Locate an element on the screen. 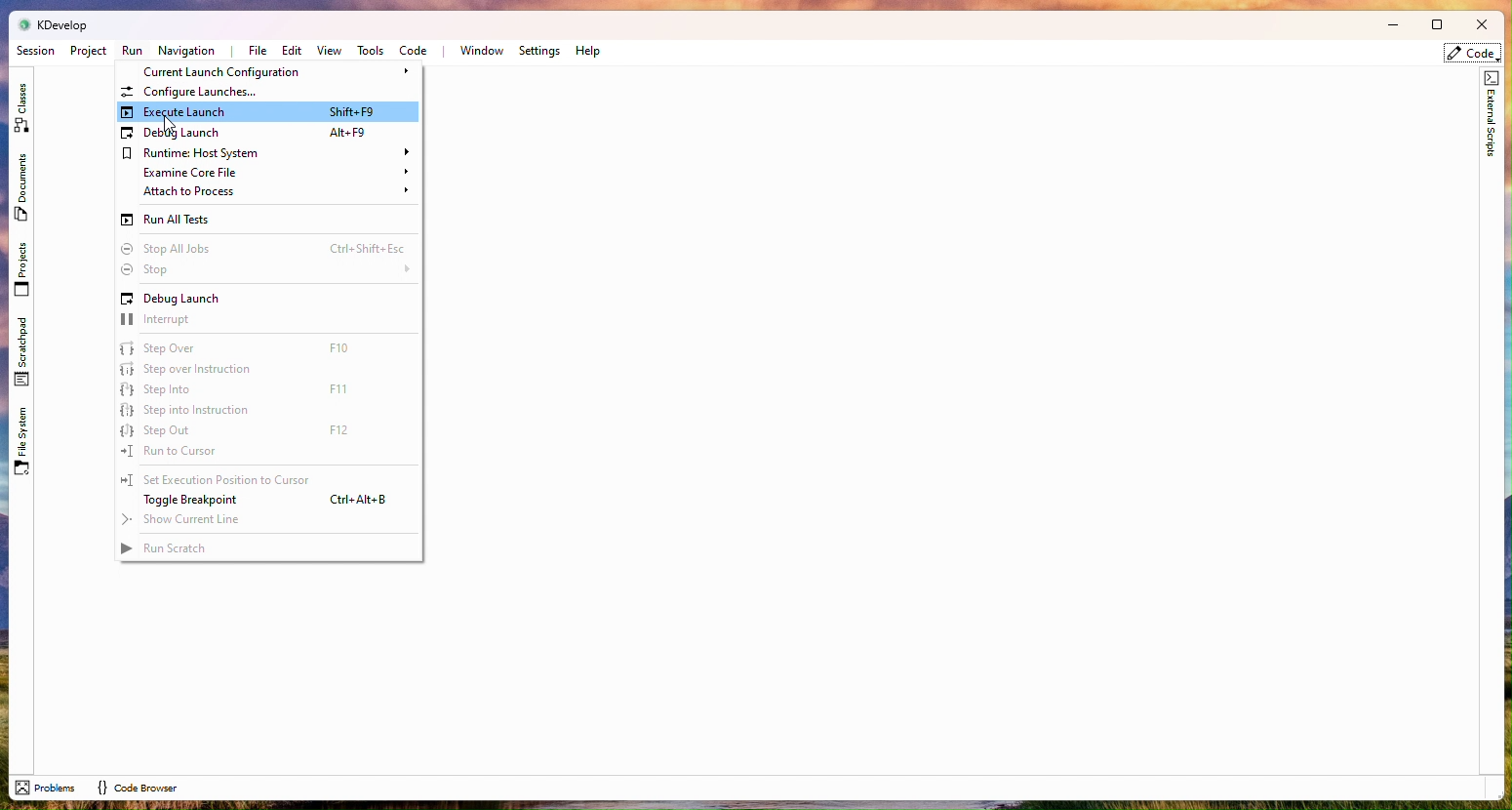 The width and height of the screenshot is (1512, 810). View is located at coordinates (330, 52).